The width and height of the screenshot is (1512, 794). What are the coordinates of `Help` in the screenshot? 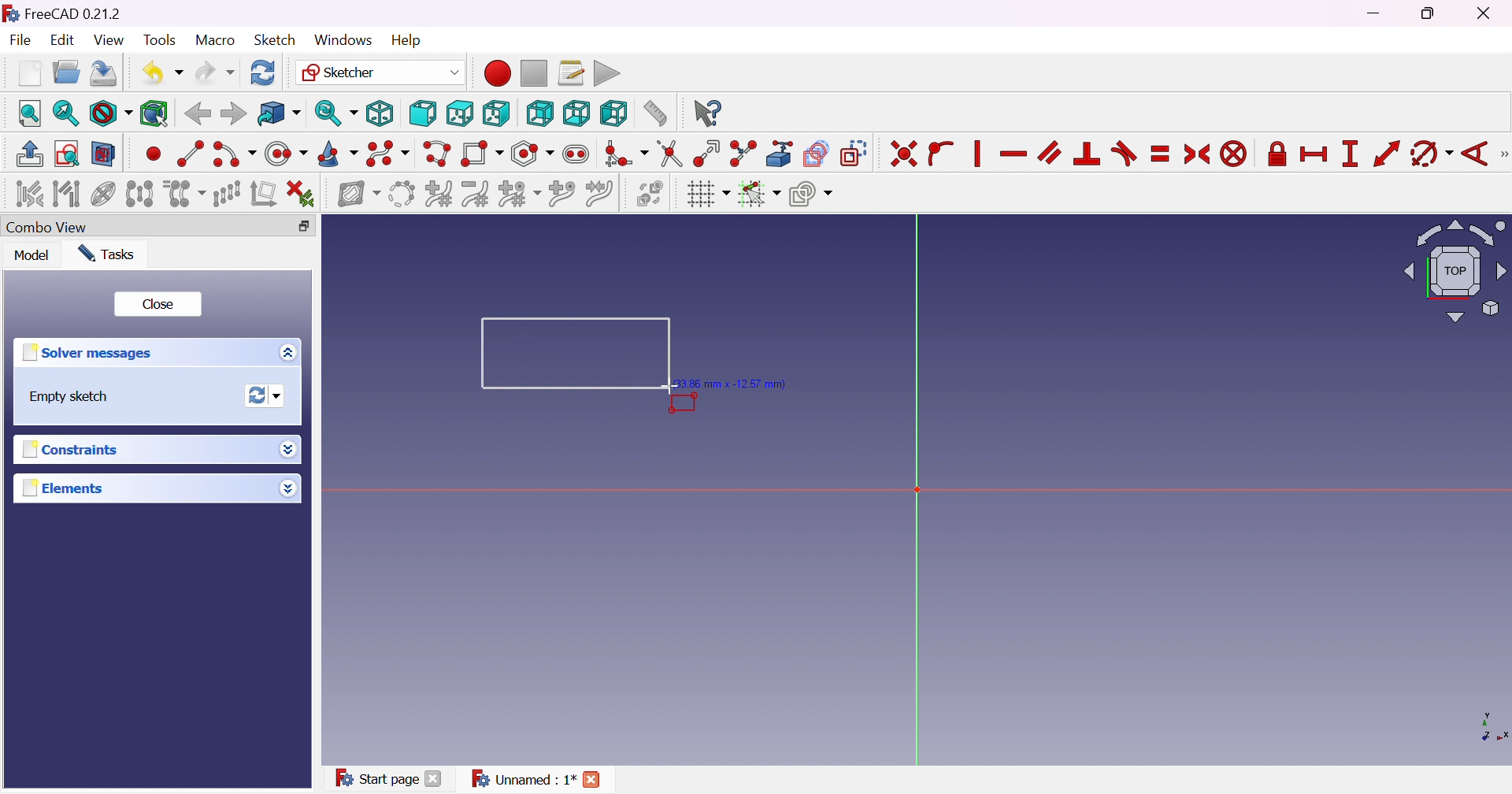 It's located at (407, 40).